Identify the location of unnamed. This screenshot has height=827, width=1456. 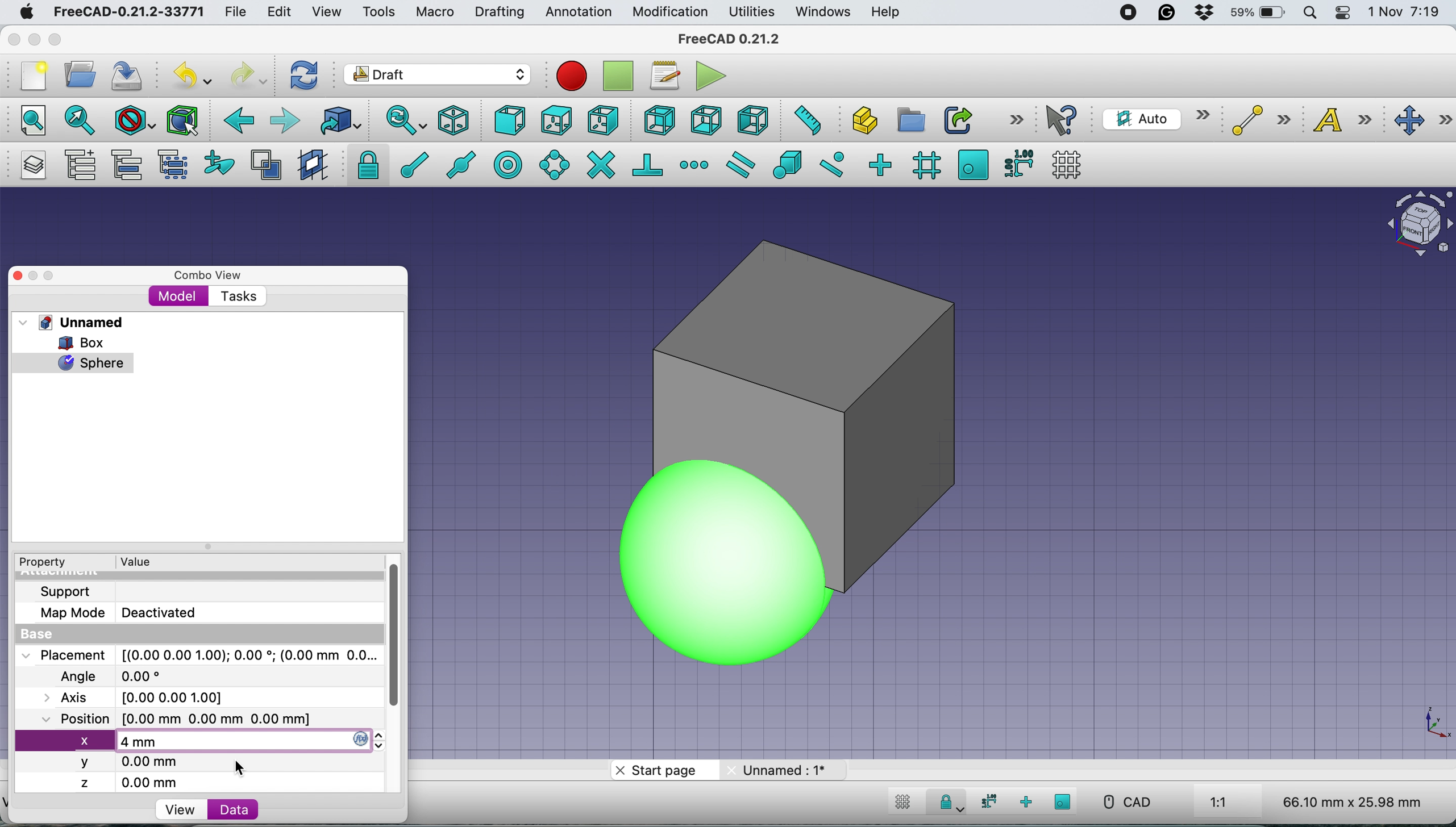
(76, 322).